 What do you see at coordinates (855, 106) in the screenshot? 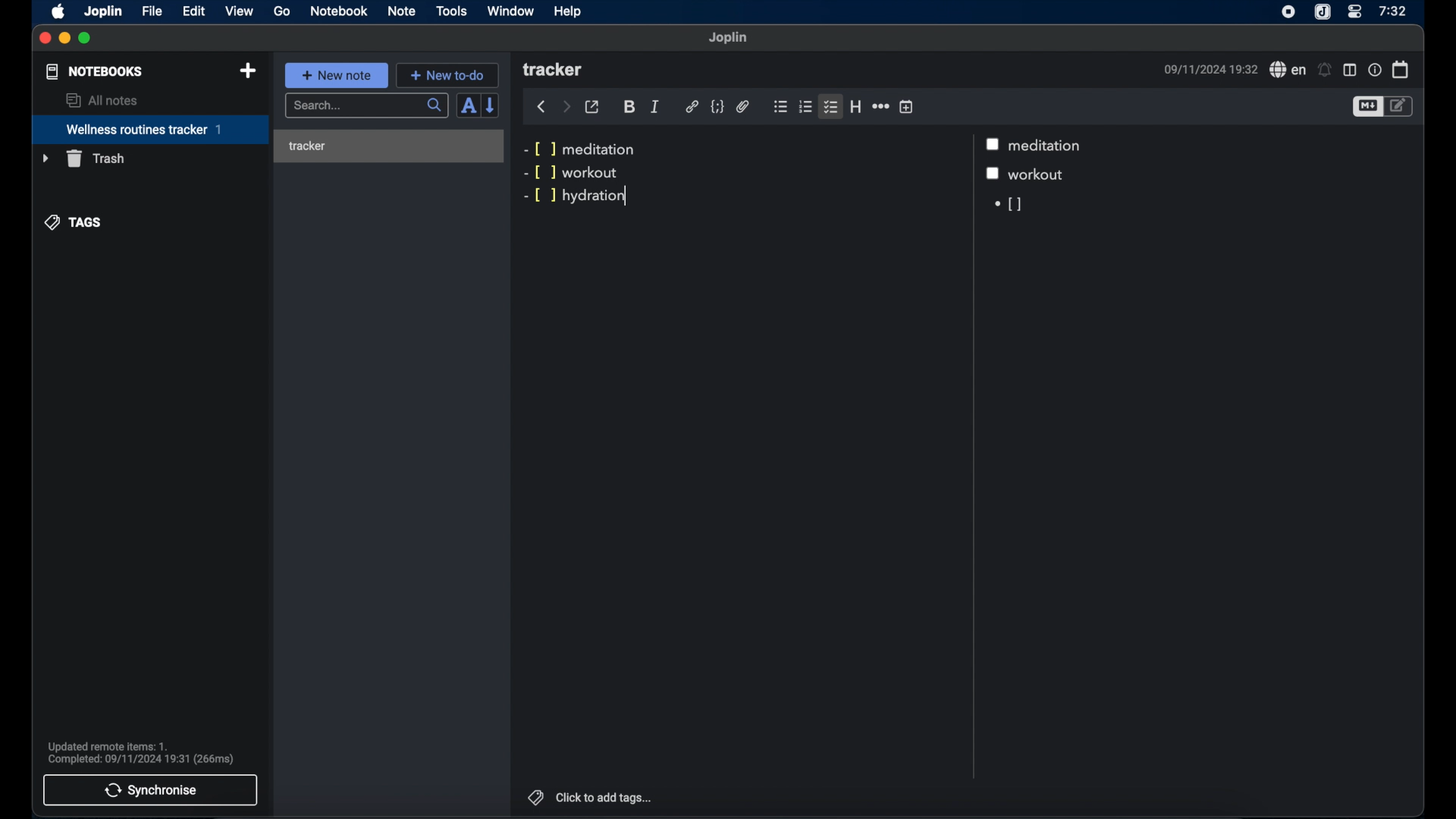
I see `heading` at bounding box center [855, 106].